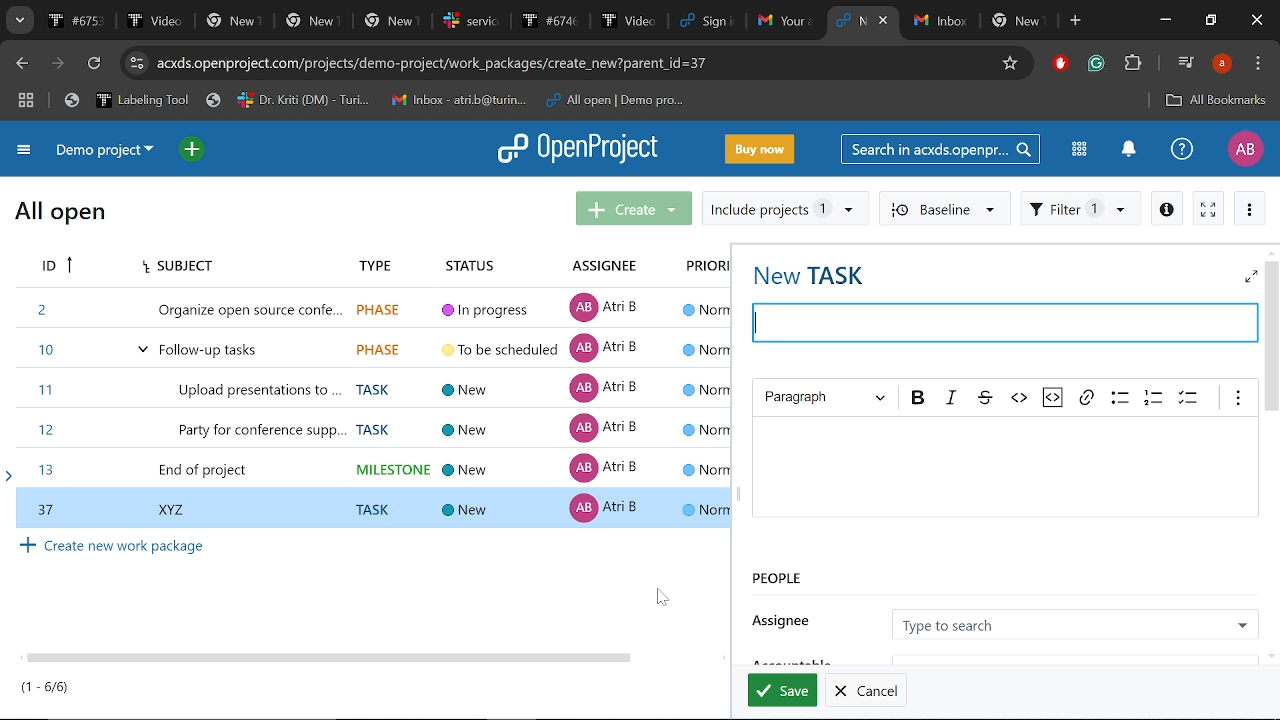 The width and height of the screenshot is (1280, 720). Describe the element at coordinates (885, 20) in the screenshot. I see `Close current  tab` at that location.